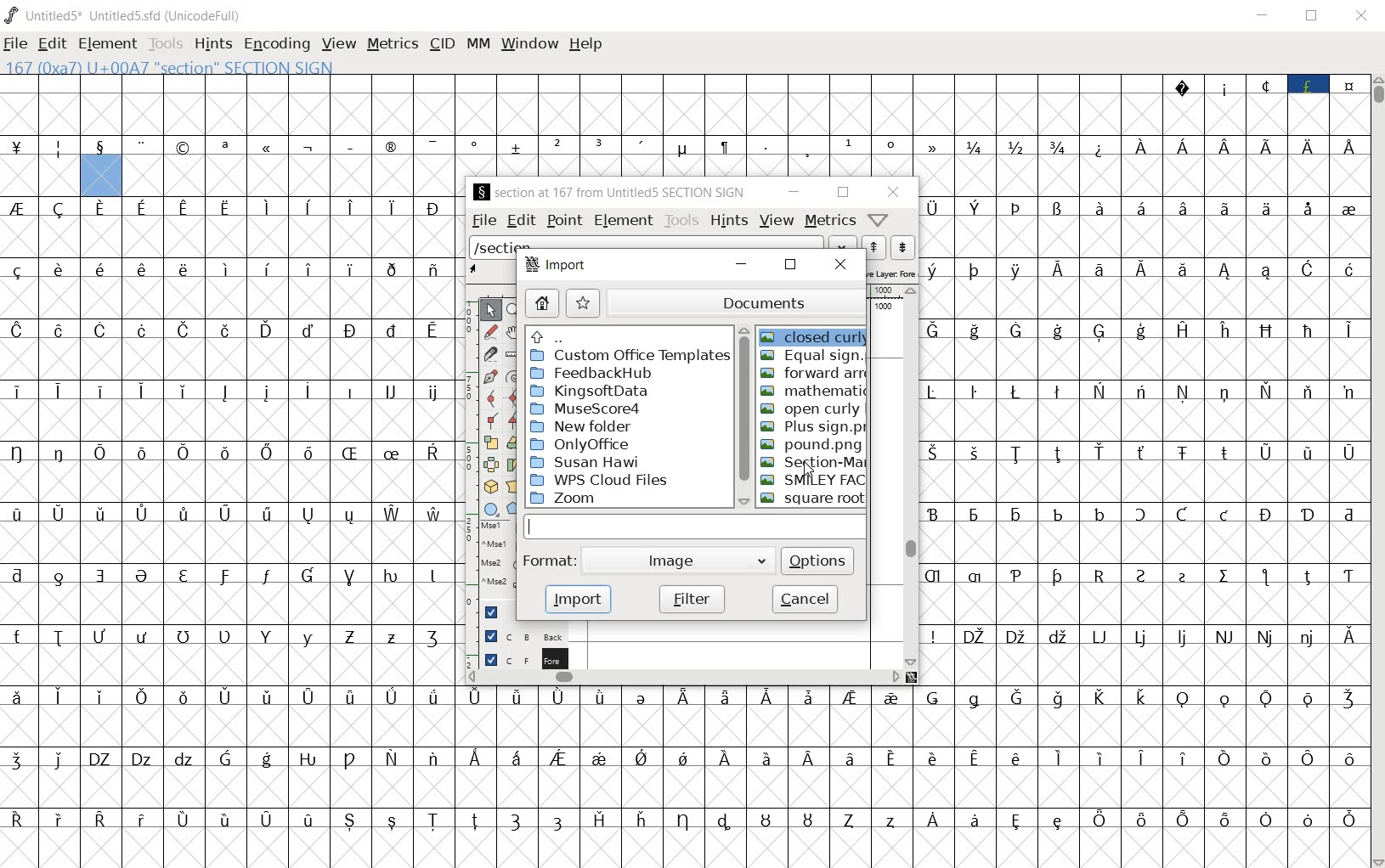 This screenshot has height=868, width=1385. What do you see at coordinates (611, 192) in the screenshot?
I see `§ SECTION AT 167 FROM UNTITLED5 SECTION SIGN` at bounding box center [611, 192].